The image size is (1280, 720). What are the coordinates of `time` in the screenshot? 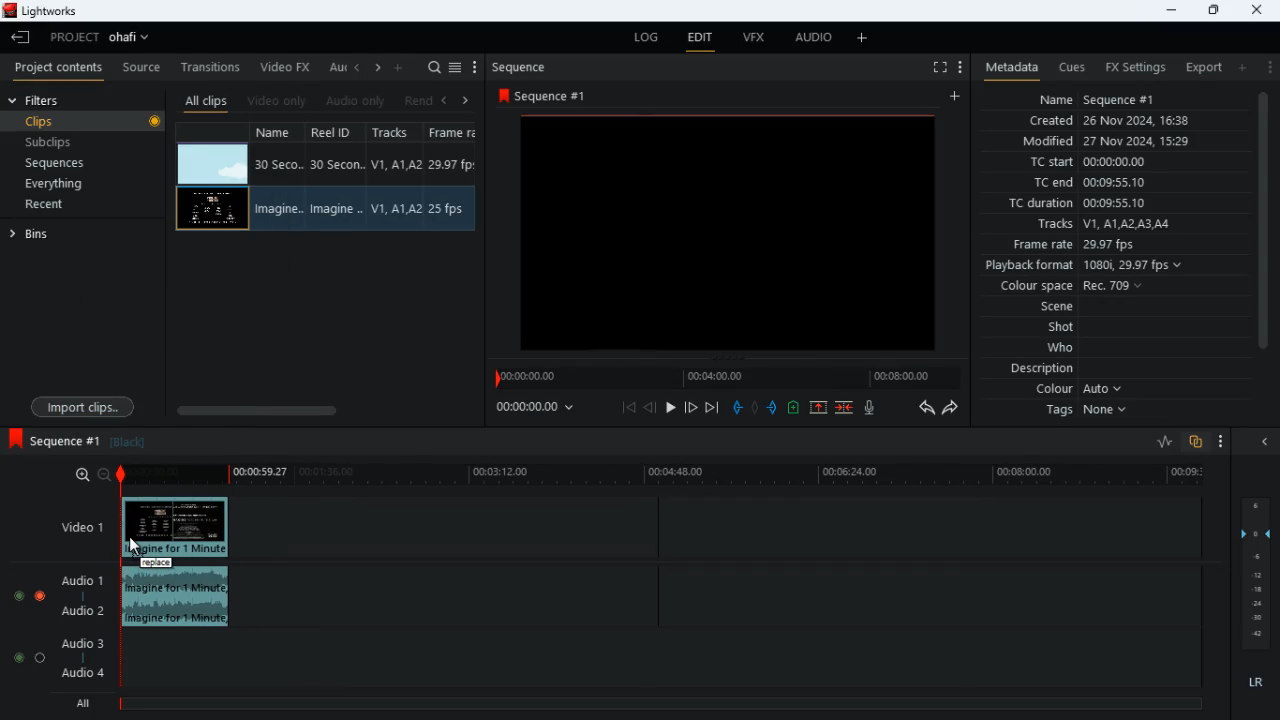 It's located at (544, 406).